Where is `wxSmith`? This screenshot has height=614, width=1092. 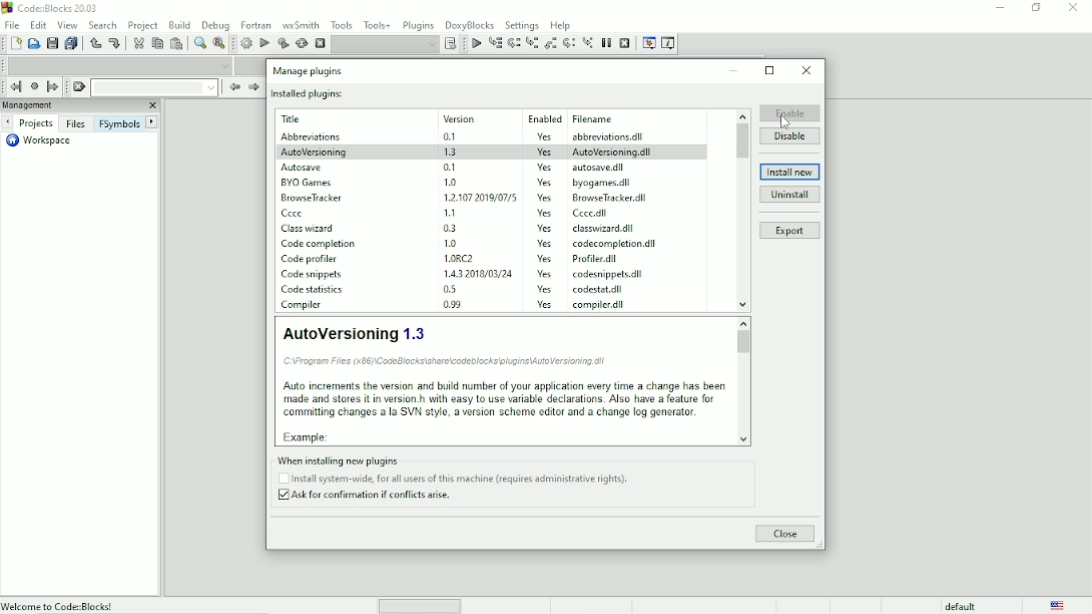 wxSmith is located at coordinates (301, 25).